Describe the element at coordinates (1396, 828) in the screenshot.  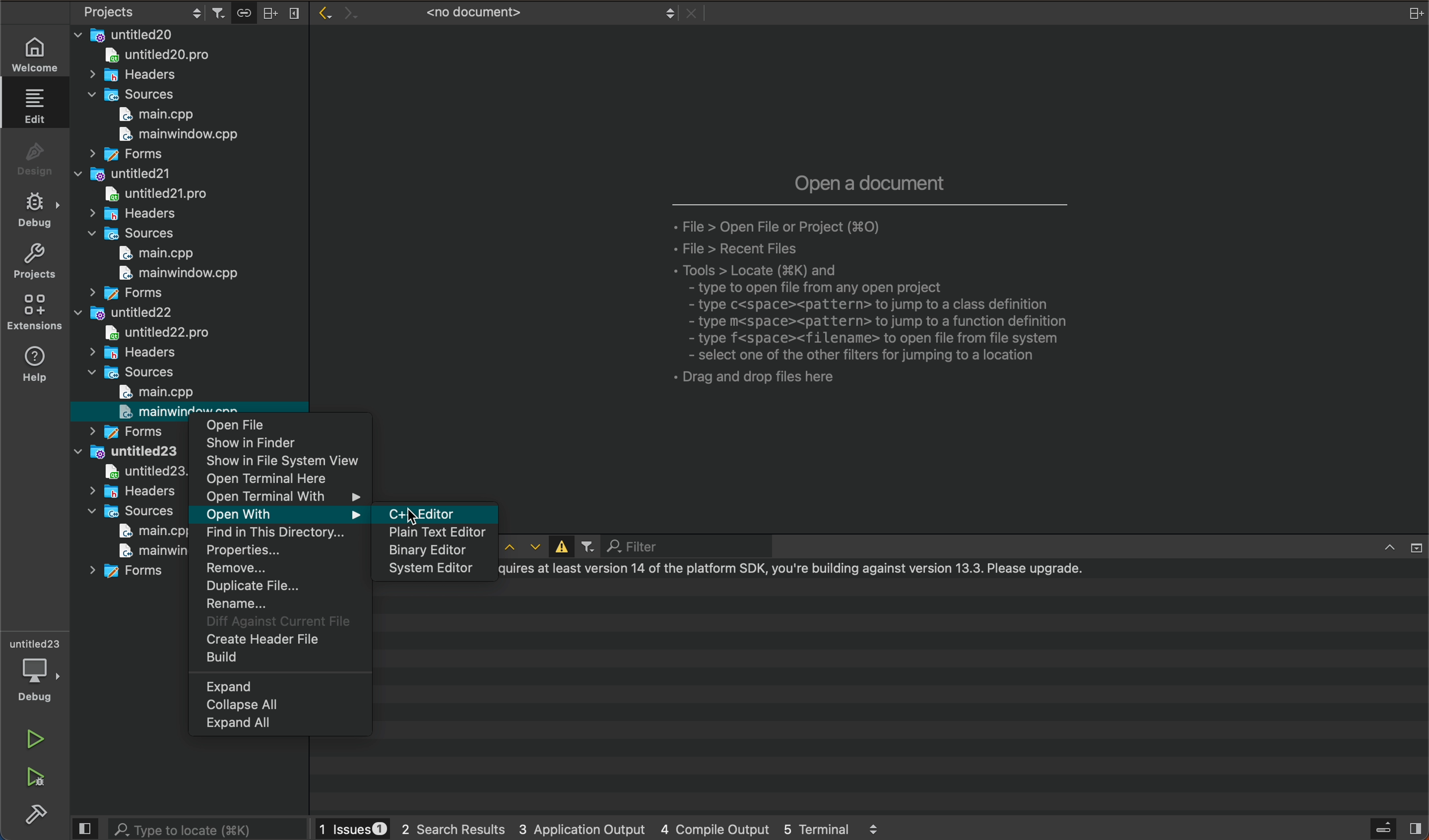
I see `close slide bar` at that location.